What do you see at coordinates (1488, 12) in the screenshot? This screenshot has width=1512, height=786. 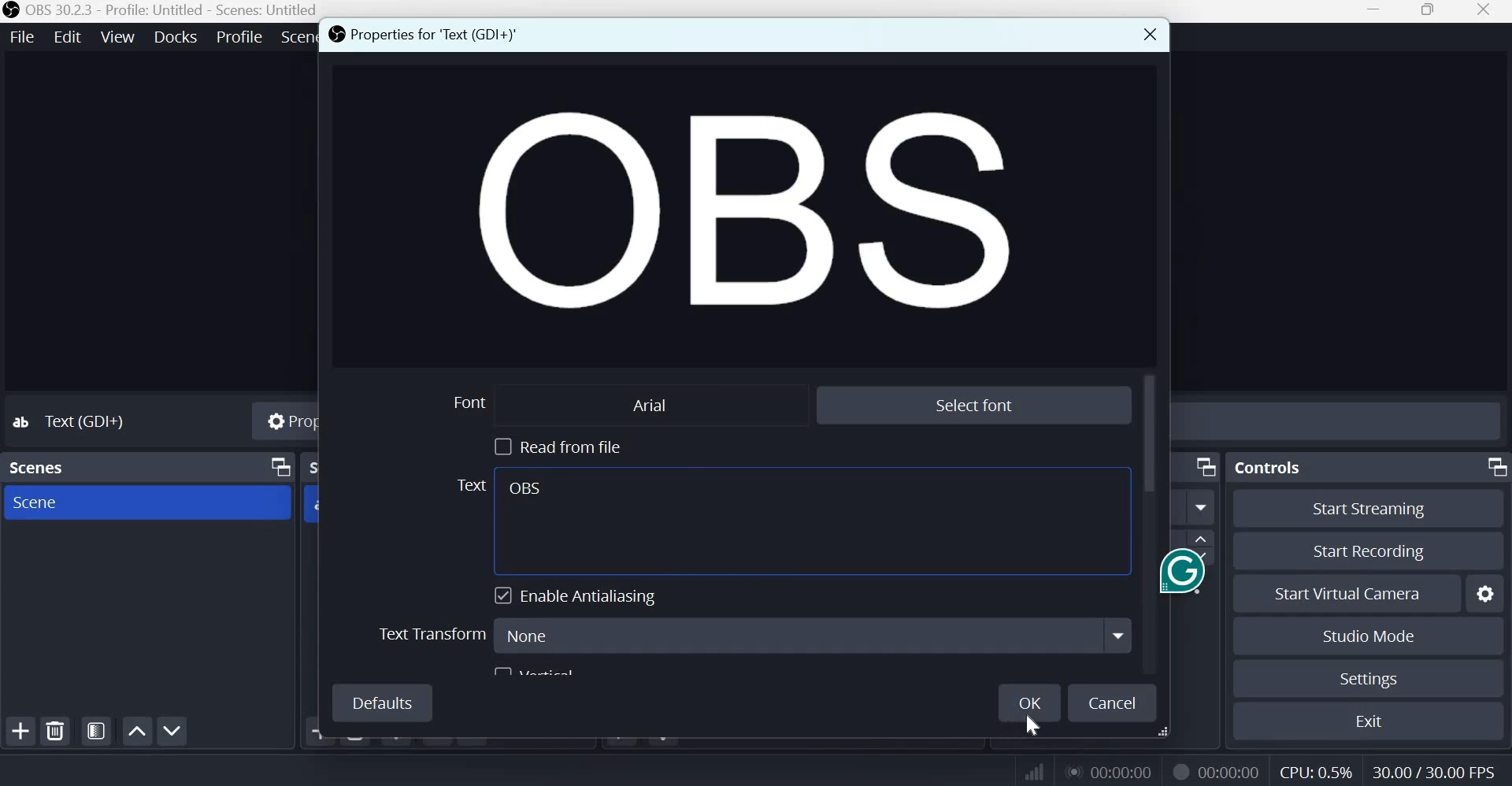 I see `Close` at bounding box center [1488, 12].